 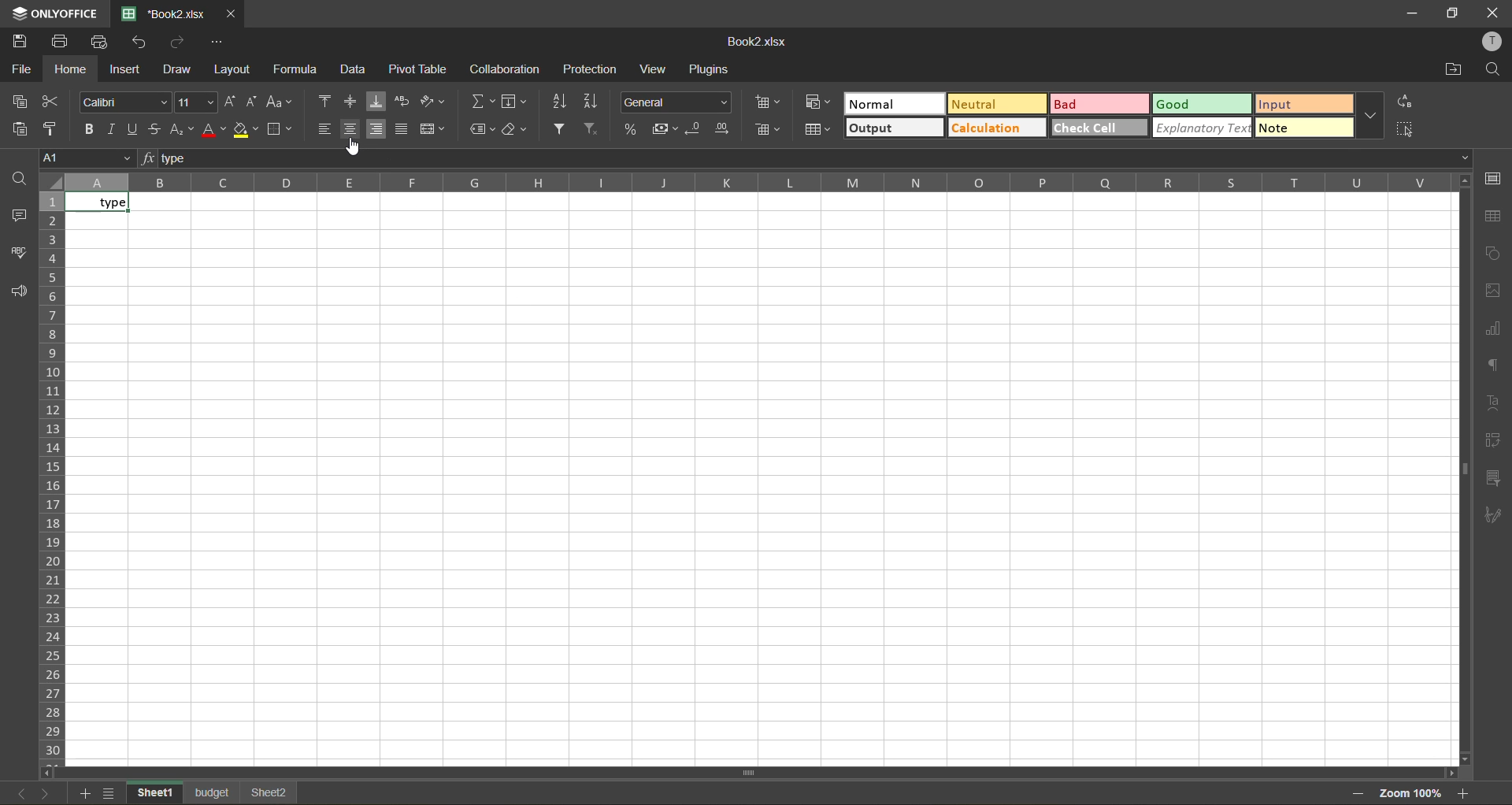 I want to click on view, so click(x=653, y=71).